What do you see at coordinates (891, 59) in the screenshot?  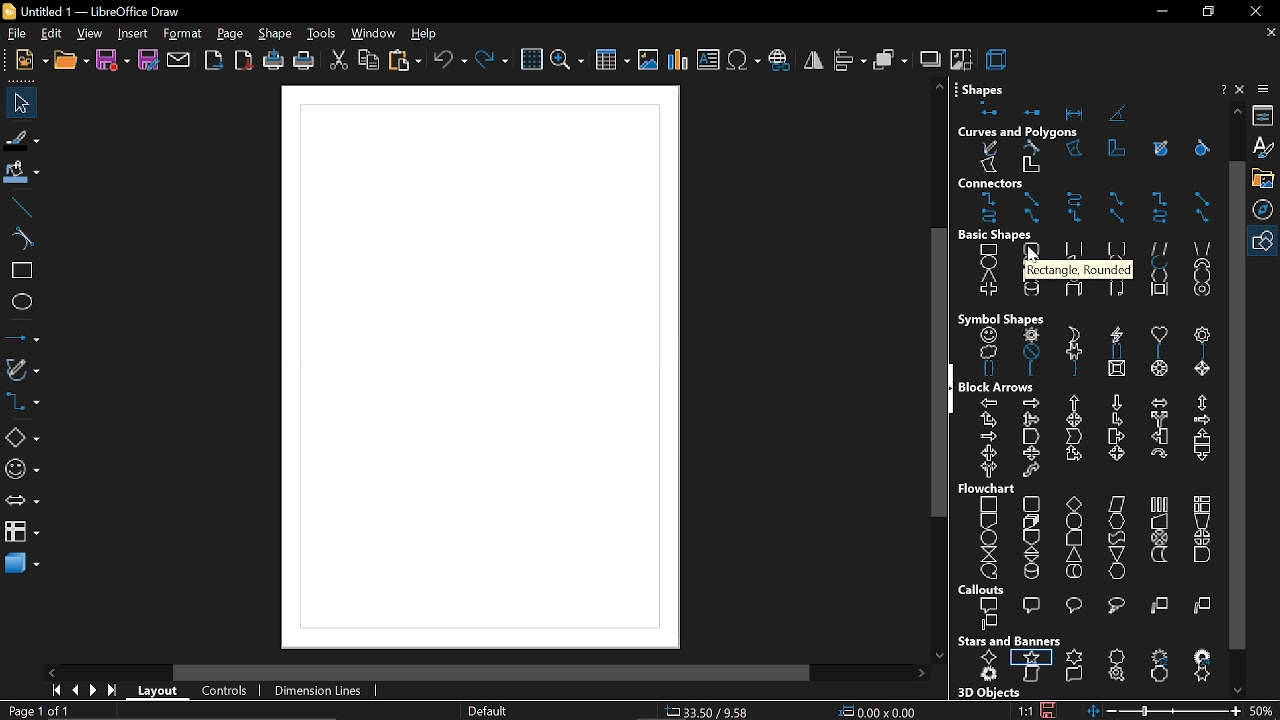 I see `arrange` at bounding box center [891, 59].